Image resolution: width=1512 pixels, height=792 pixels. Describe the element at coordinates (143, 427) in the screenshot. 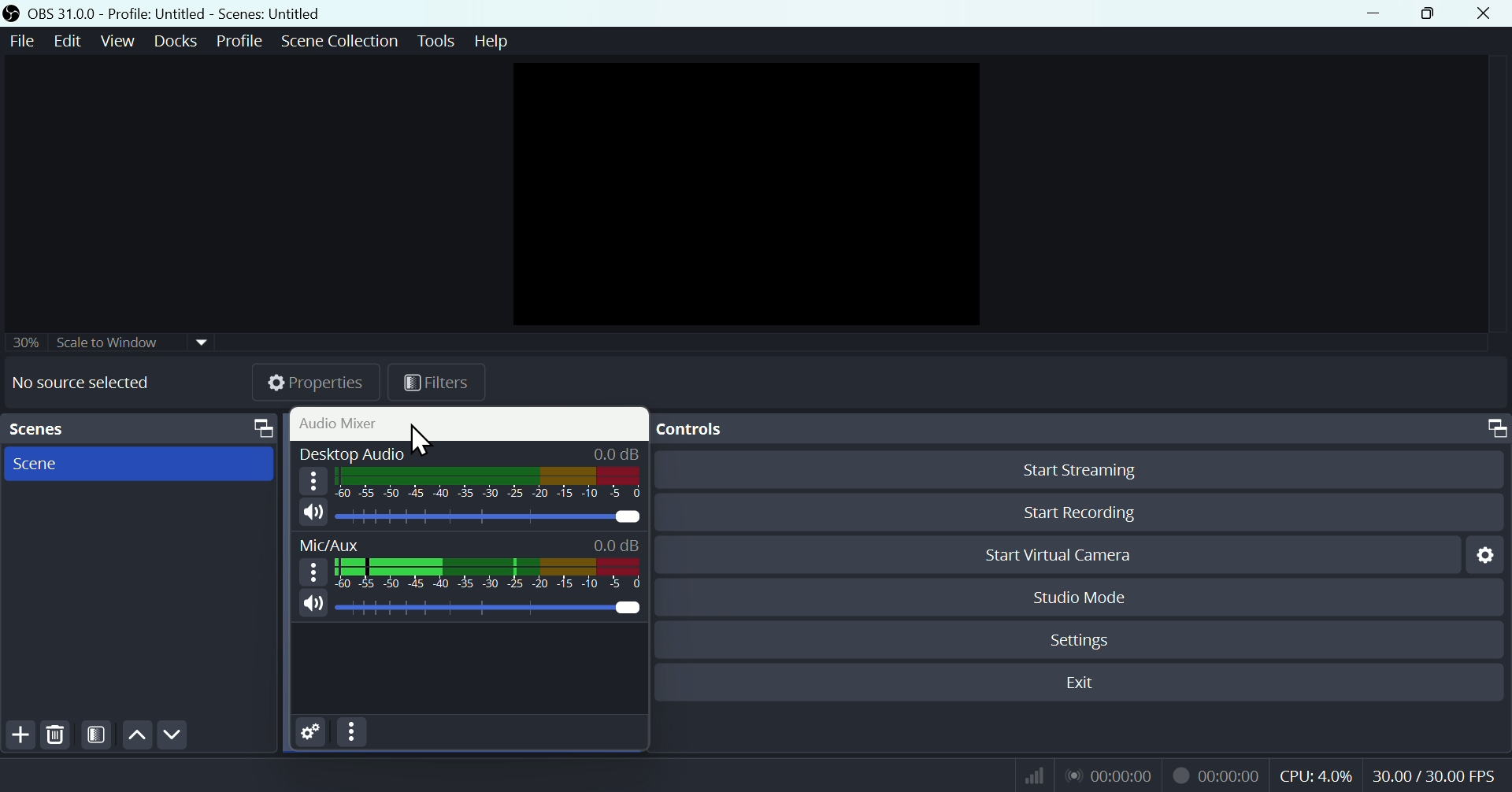

I see `Scenes` at that location.